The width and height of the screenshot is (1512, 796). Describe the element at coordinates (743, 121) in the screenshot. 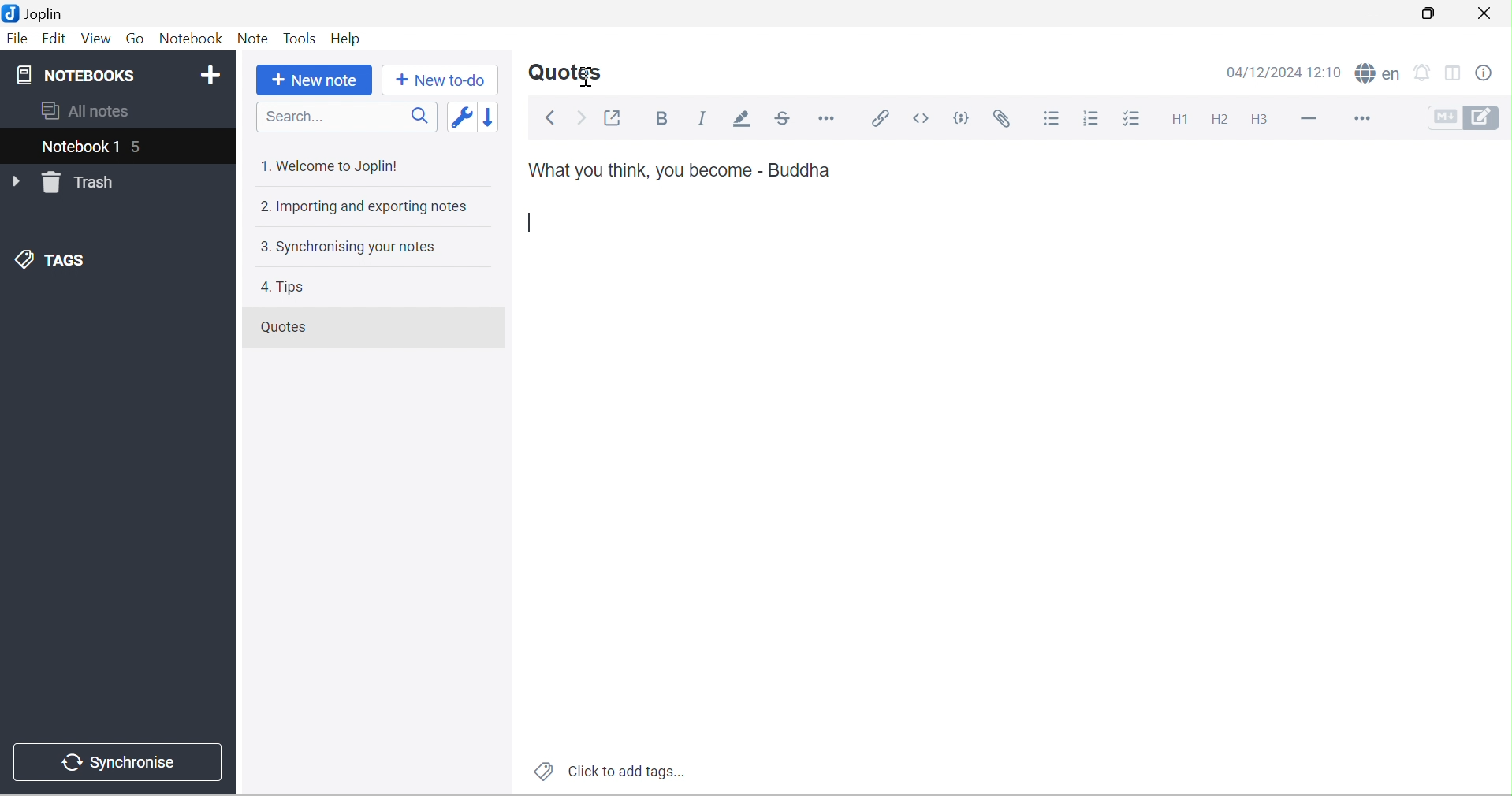

I see `Highlight` at that location.